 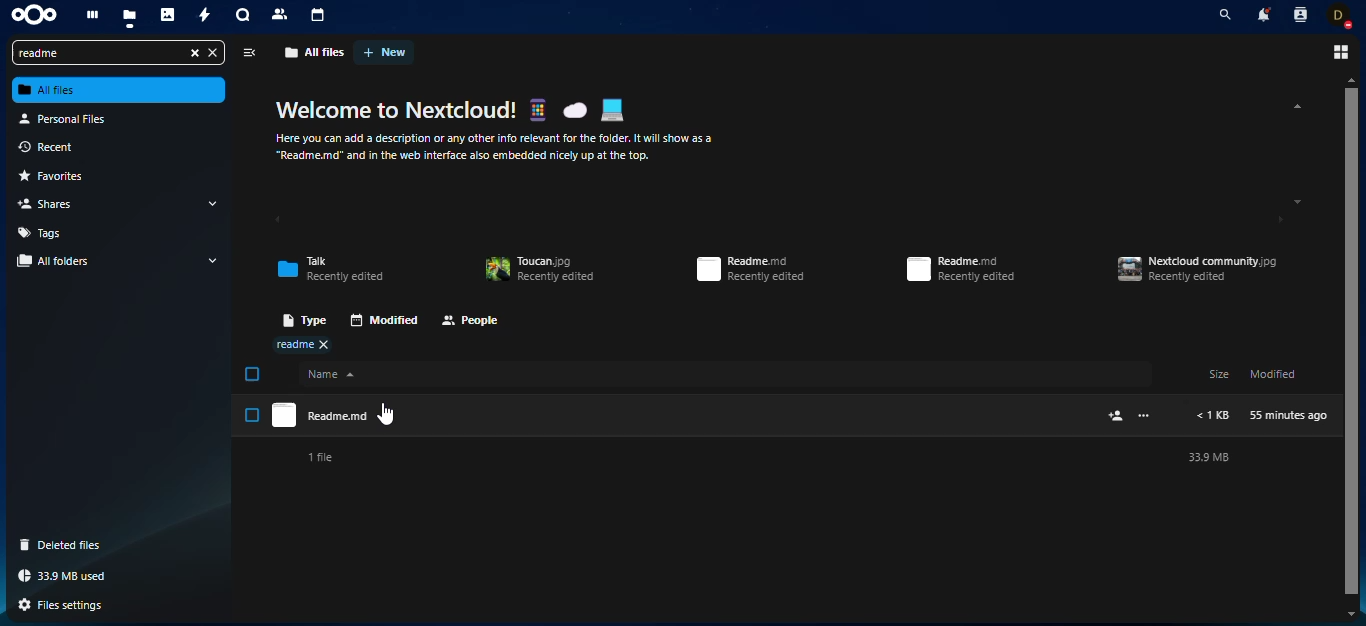 What do you see at coordinates (61, 177) in the screenshot?
I see `favorites` at bounding box center [61, 177].